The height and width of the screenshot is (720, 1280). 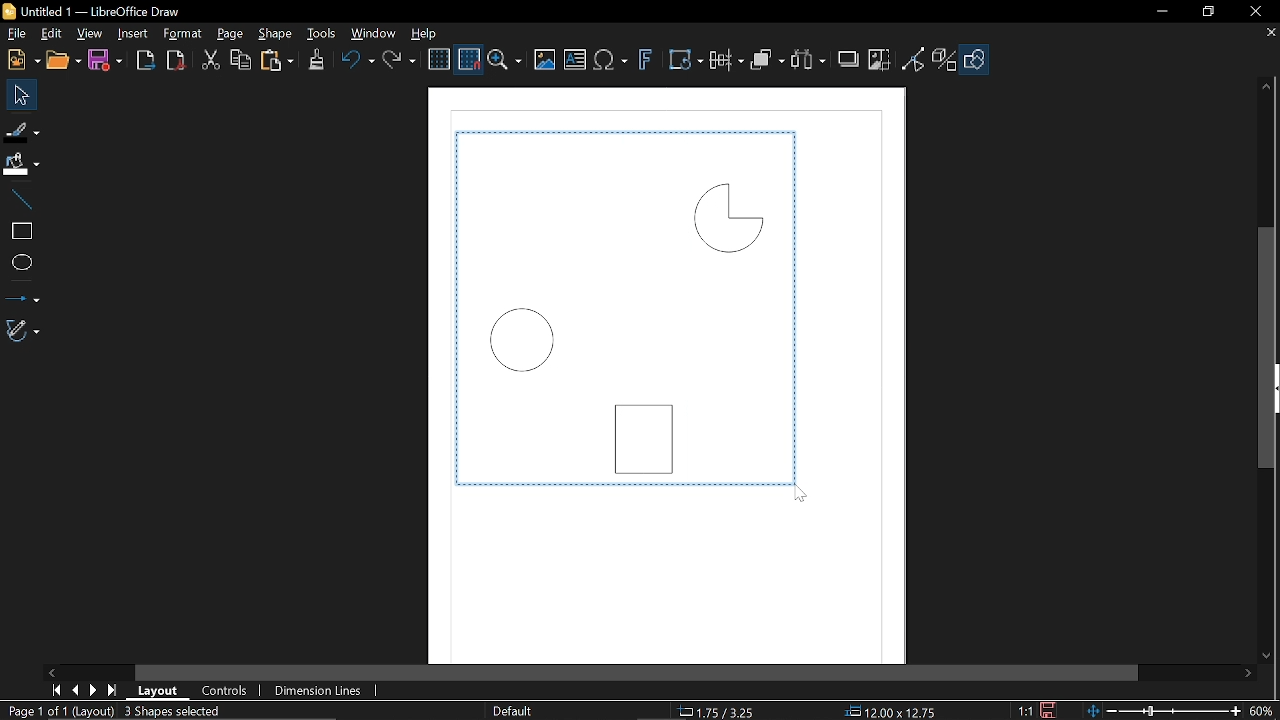 I want to click on Next page, so click(x=93, y=690).